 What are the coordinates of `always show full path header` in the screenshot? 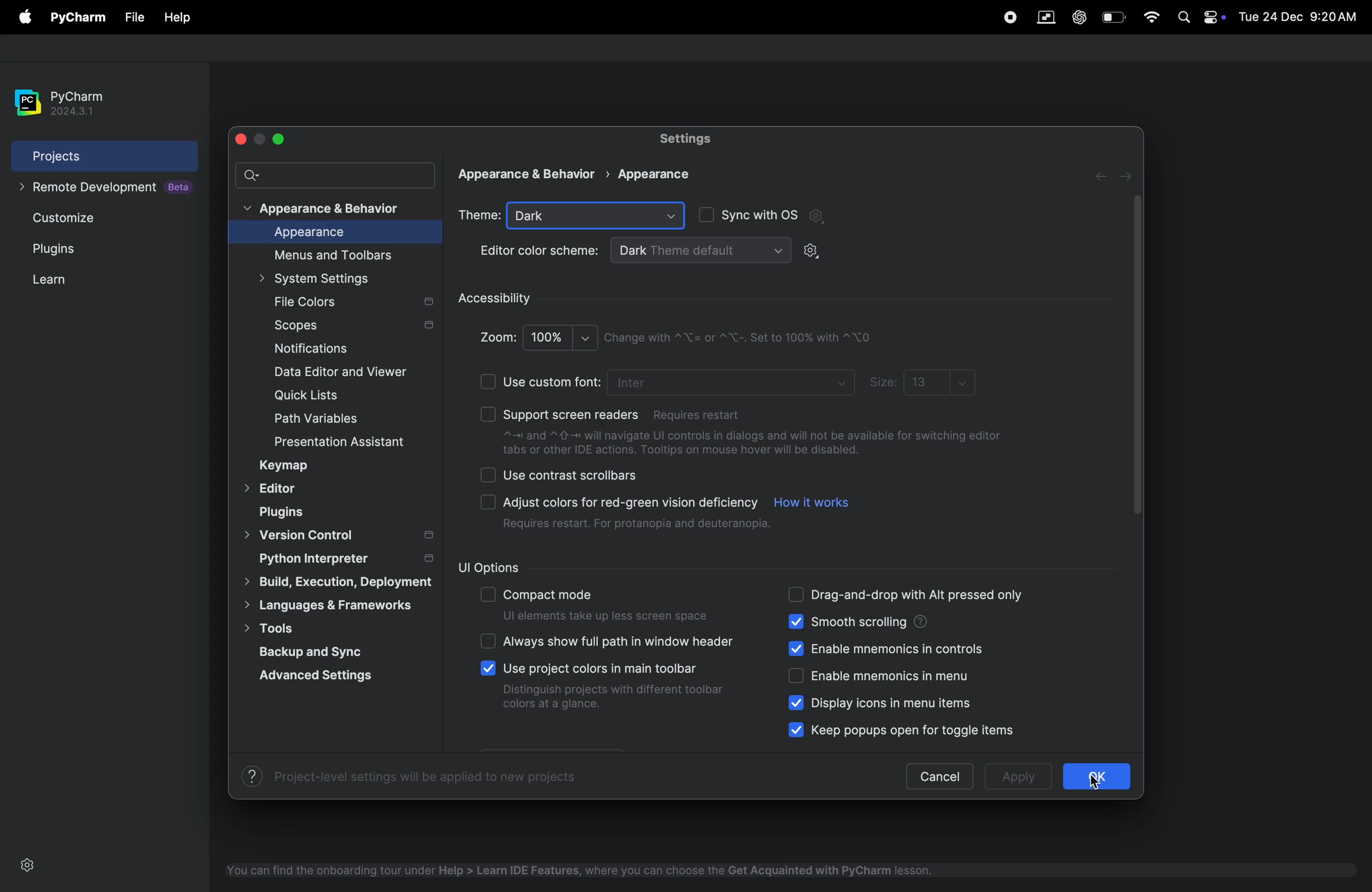 It's located at (621, 640).